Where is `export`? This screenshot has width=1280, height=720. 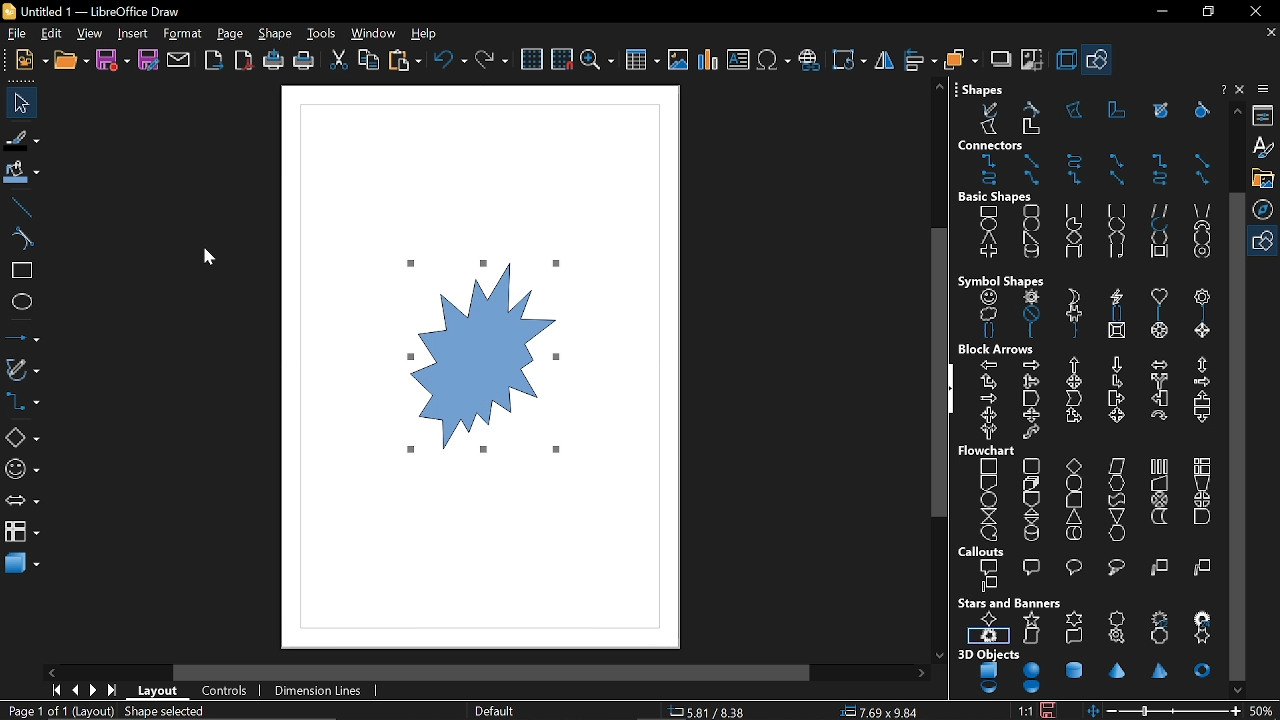
export is located at coordinates (215, 60).